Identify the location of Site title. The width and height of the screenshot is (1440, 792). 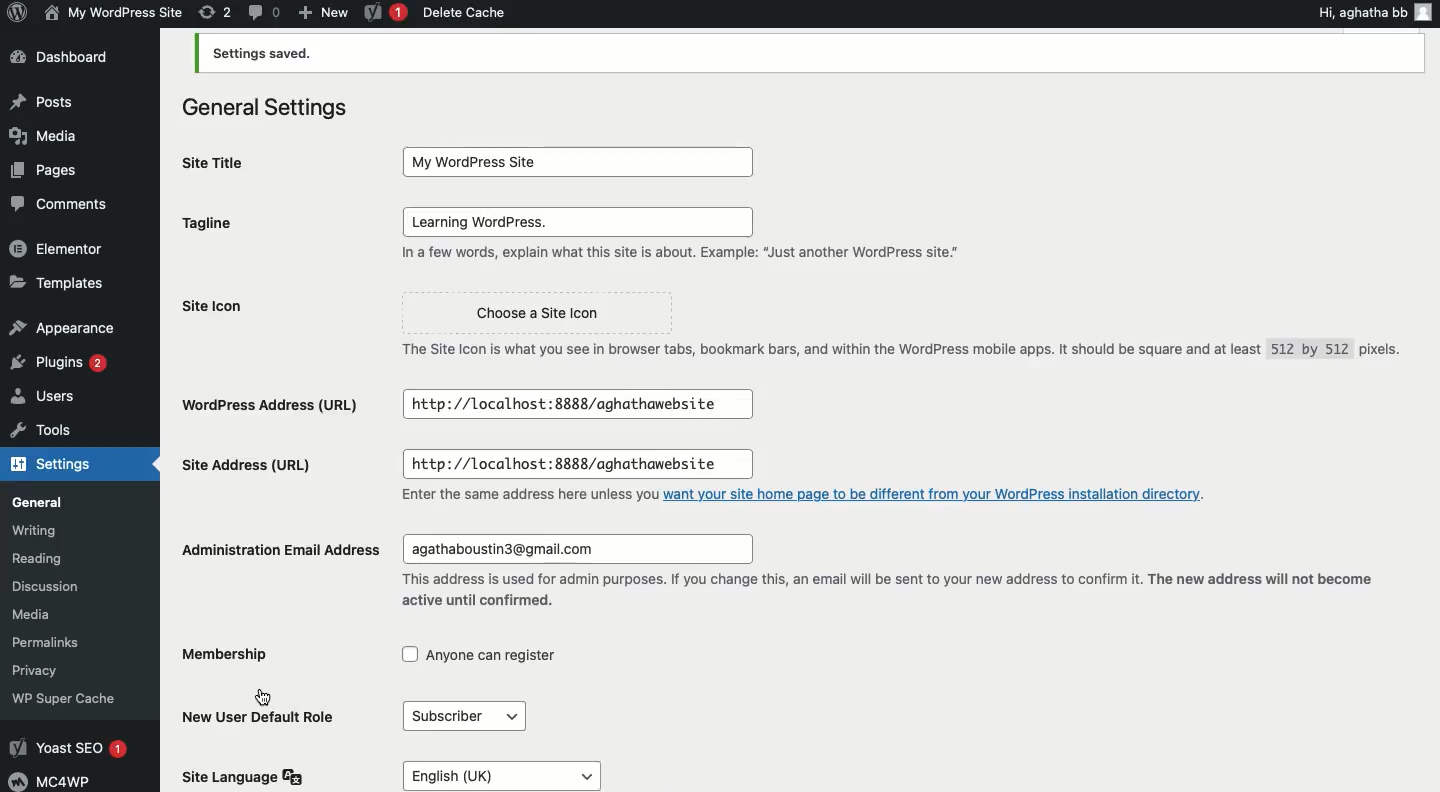
(221, 163).